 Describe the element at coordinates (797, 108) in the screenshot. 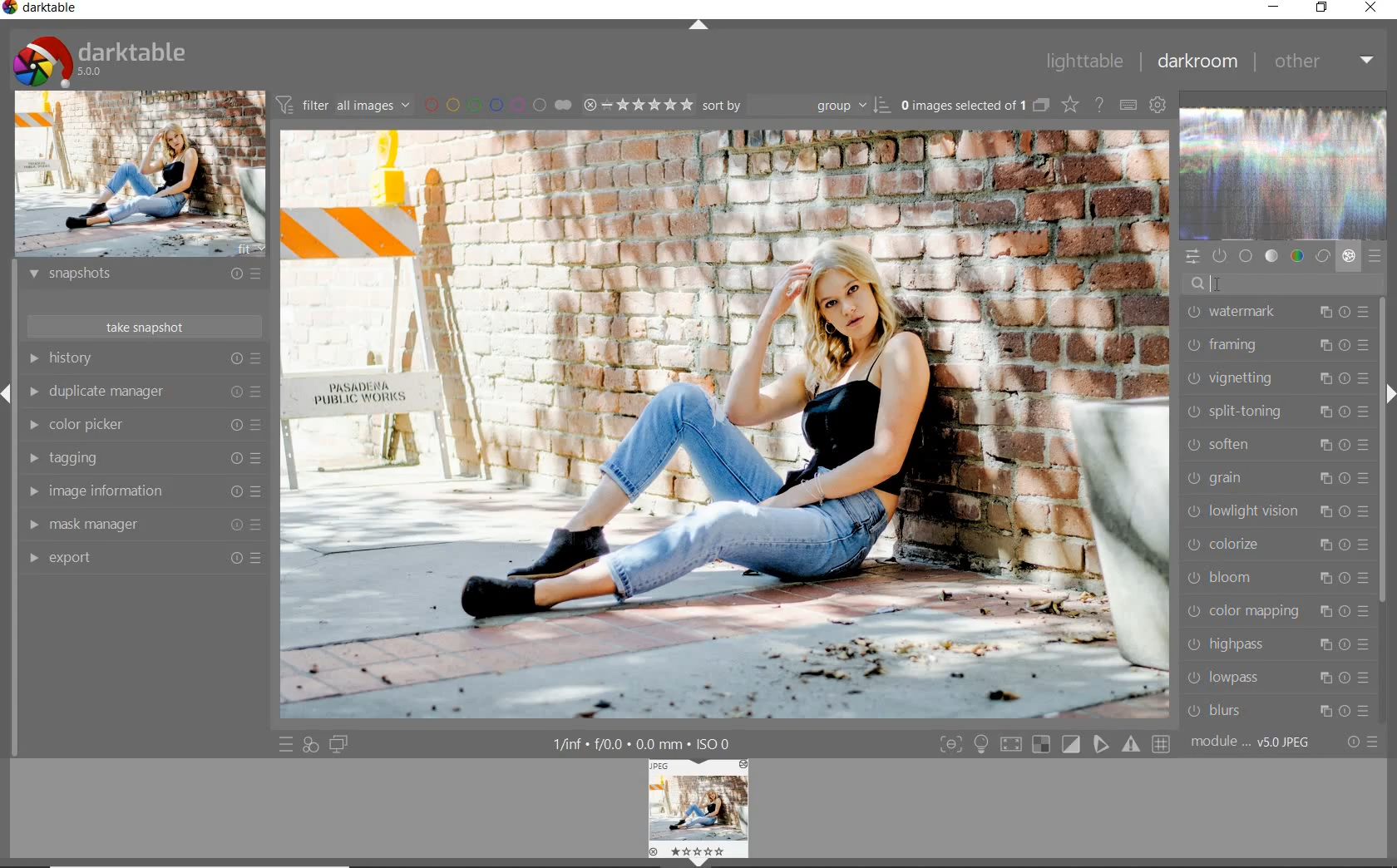

I see `sort` at that location.